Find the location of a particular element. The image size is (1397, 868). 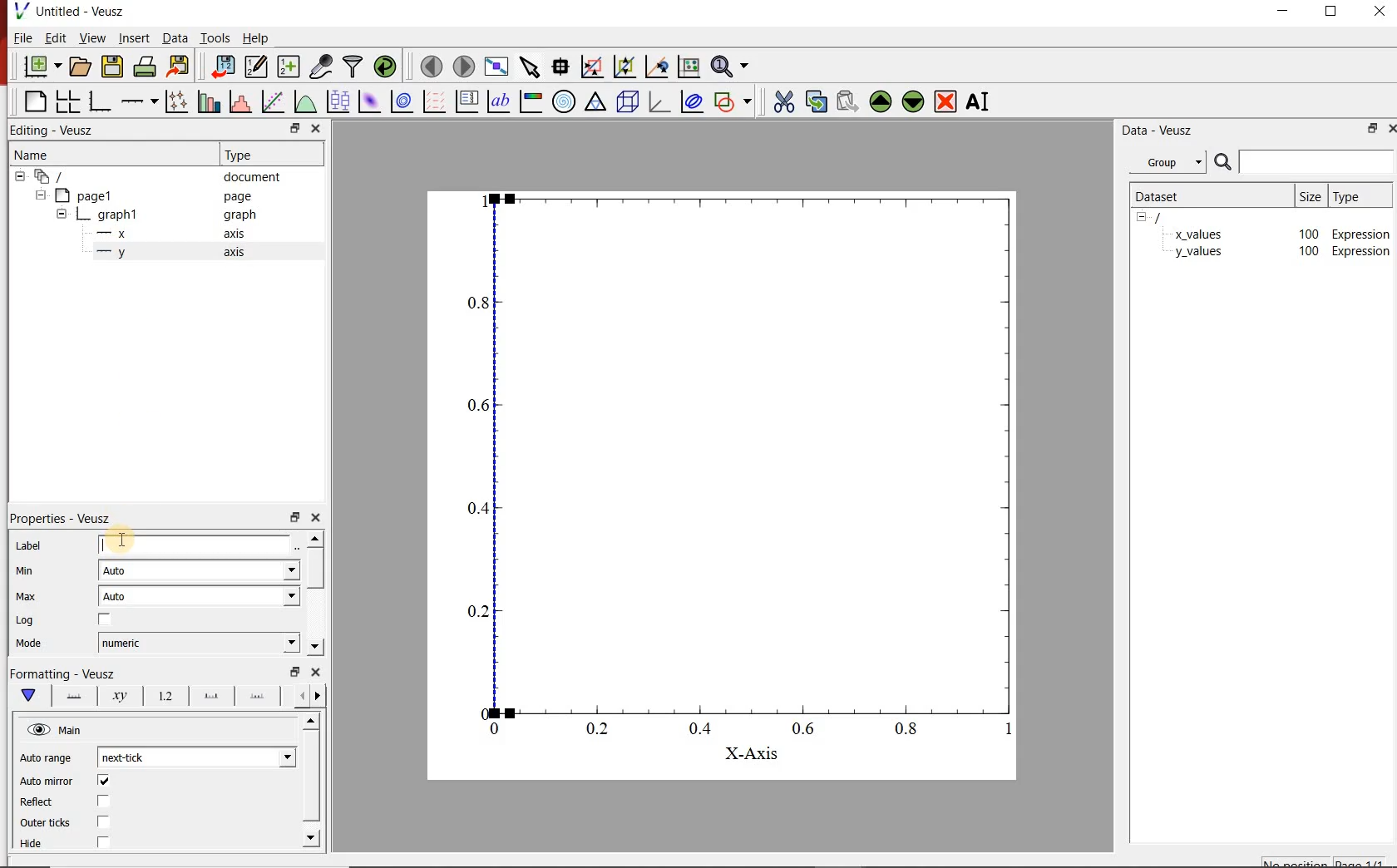

previous options is located at coordinates (321, 697).